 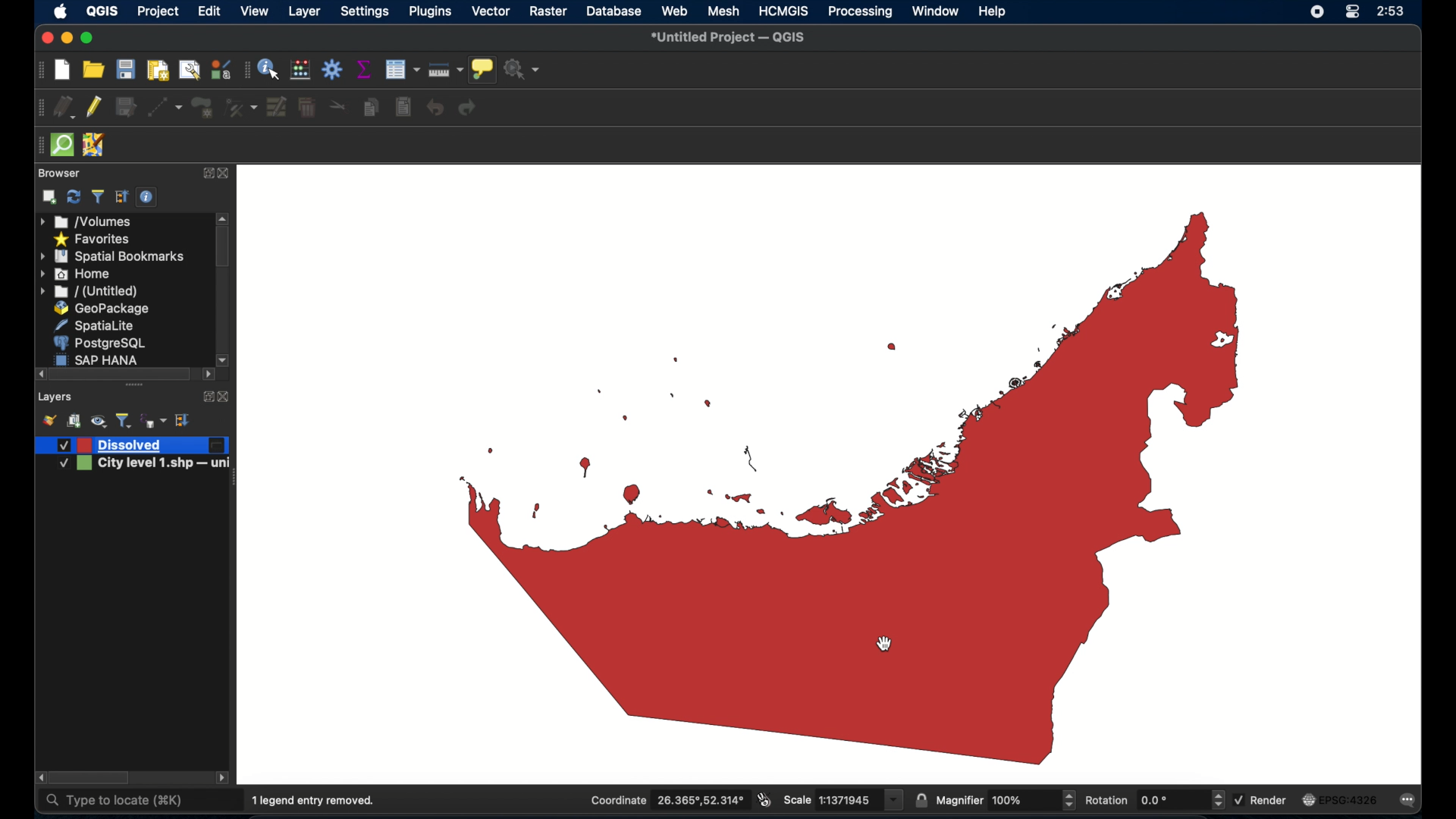 I want to click on scroll box, so click(x=92, y=778).